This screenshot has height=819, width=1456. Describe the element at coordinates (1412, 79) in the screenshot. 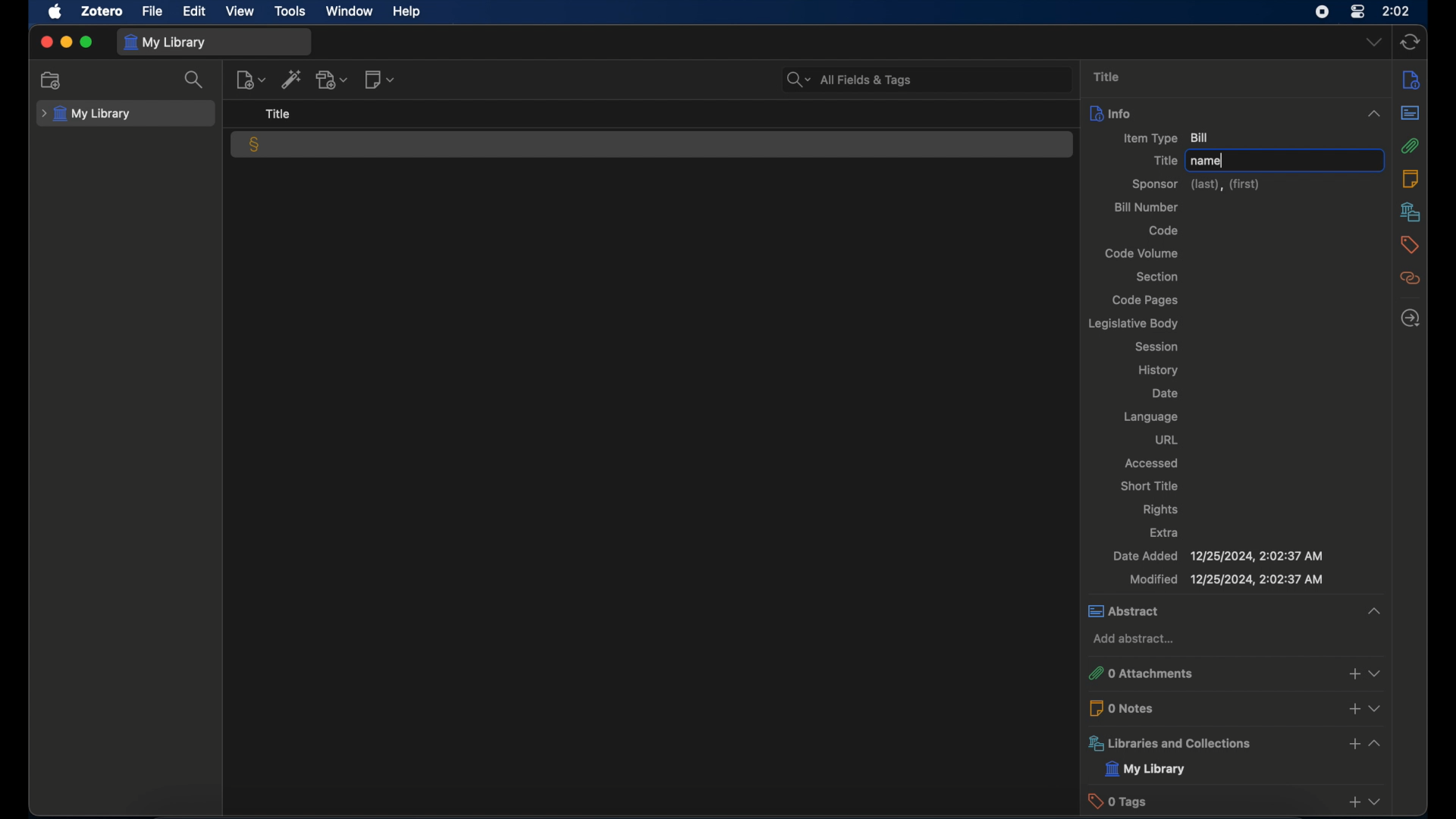

I see `info` at that location.